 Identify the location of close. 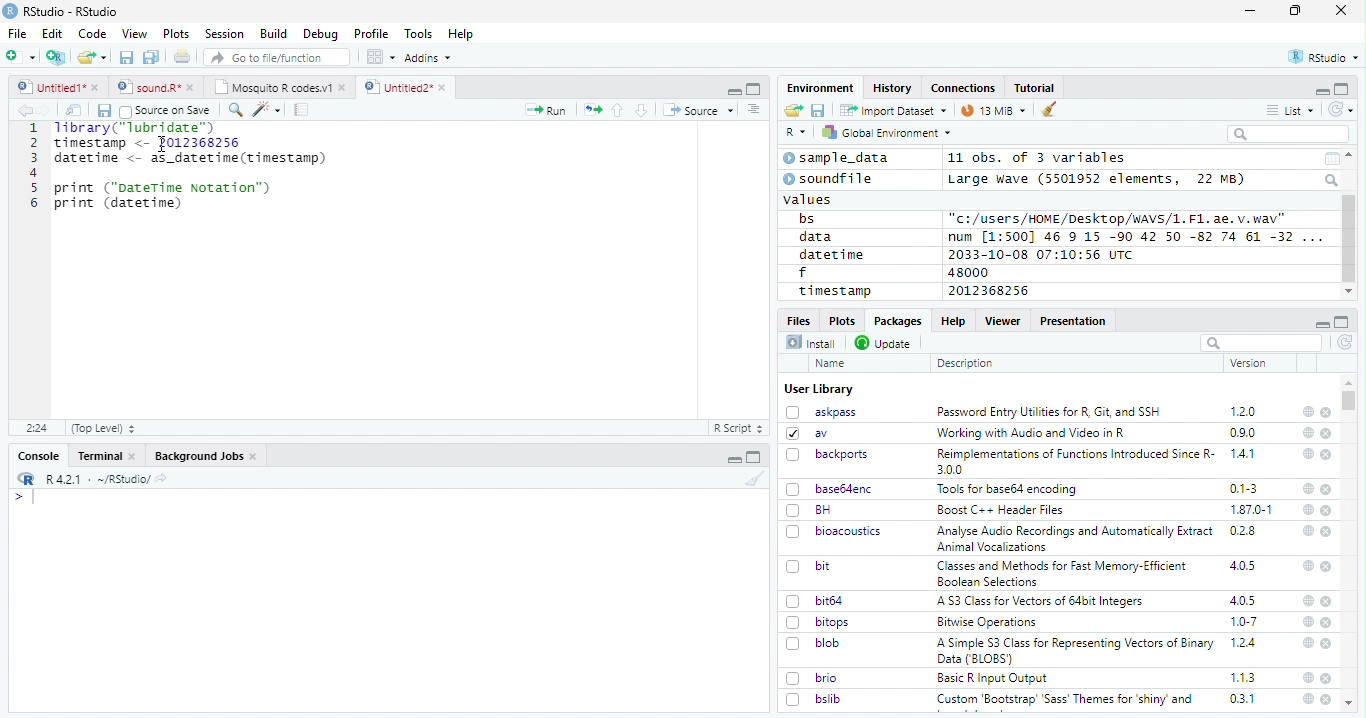
(1341, 9).